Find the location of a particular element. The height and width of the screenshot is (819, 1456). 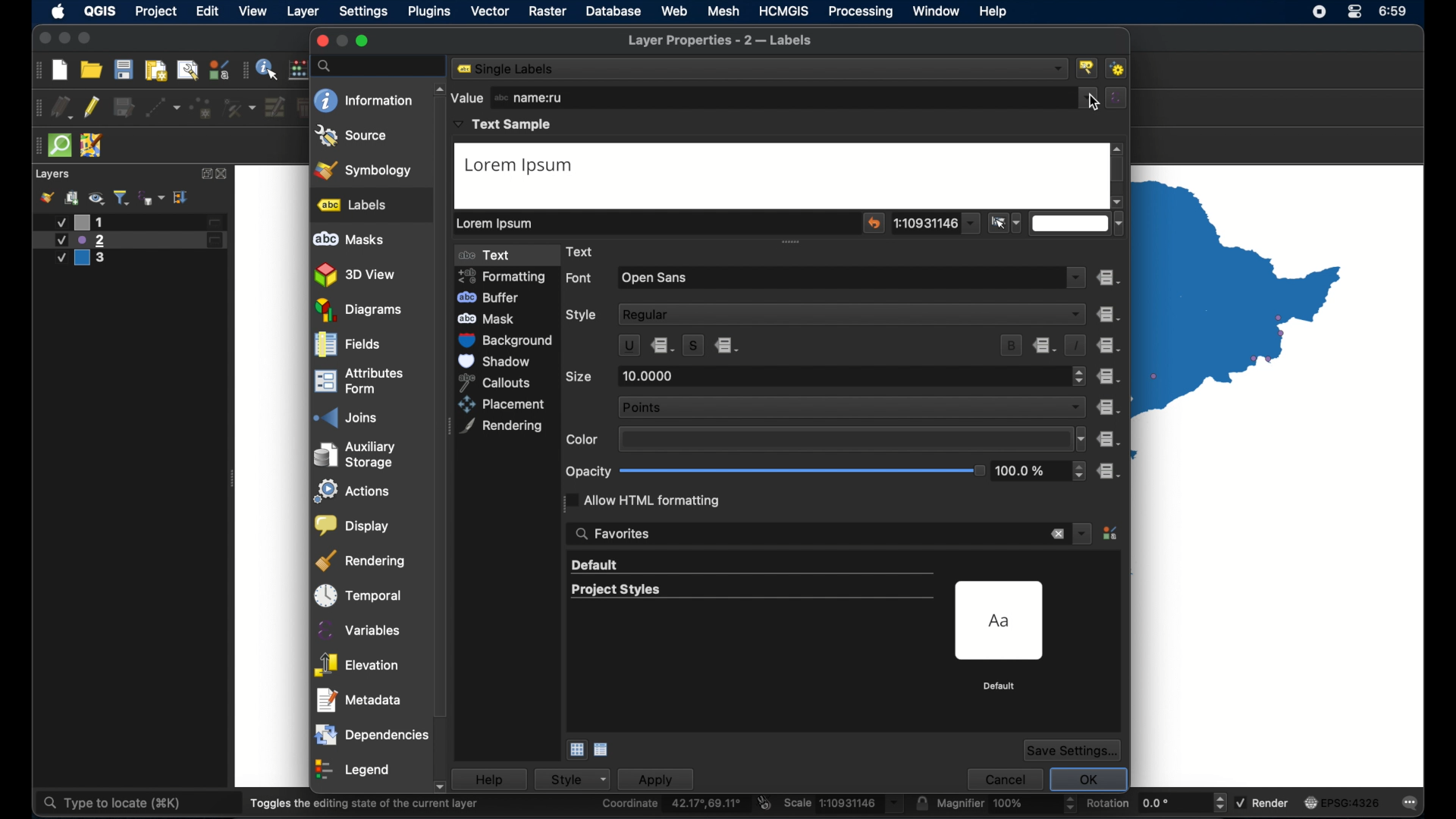

automated project labelling rules is located at coordinates (1119, 68).